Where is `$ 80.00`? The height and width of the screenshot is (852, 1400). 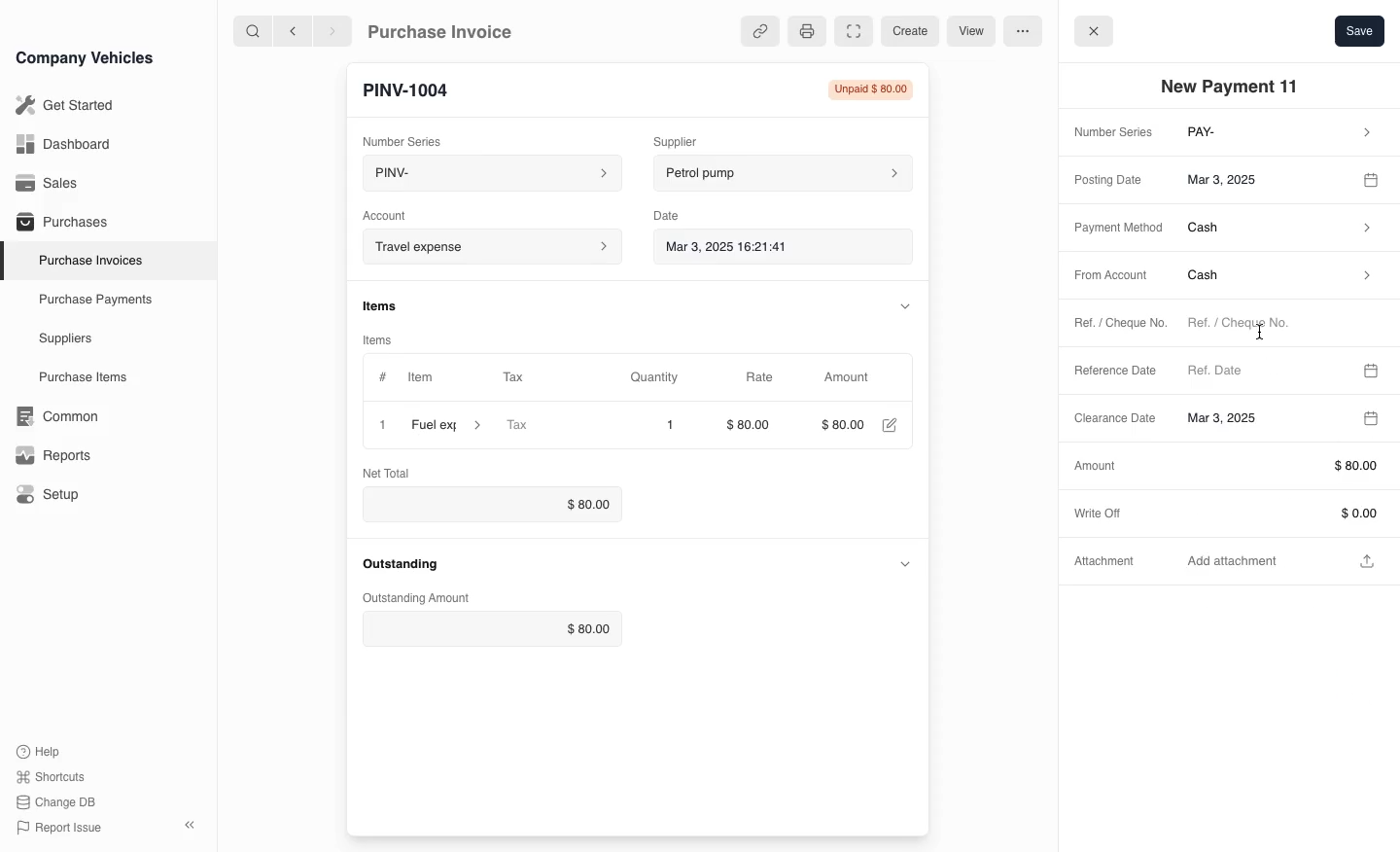
$ 80.00 is located at coordinates (1279, 466).